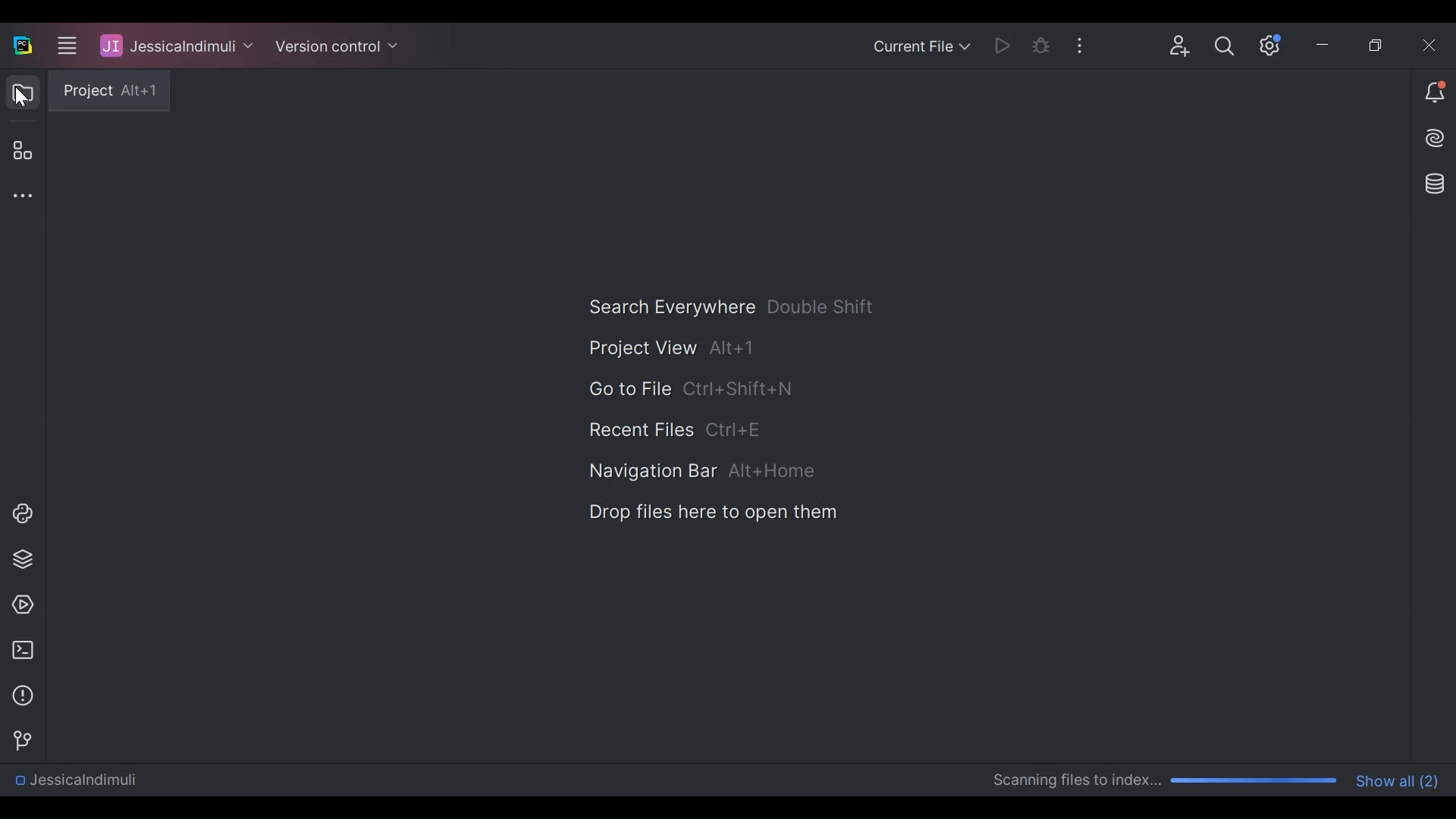  I want to click on Drop Files here to Open, so click(711, 511).